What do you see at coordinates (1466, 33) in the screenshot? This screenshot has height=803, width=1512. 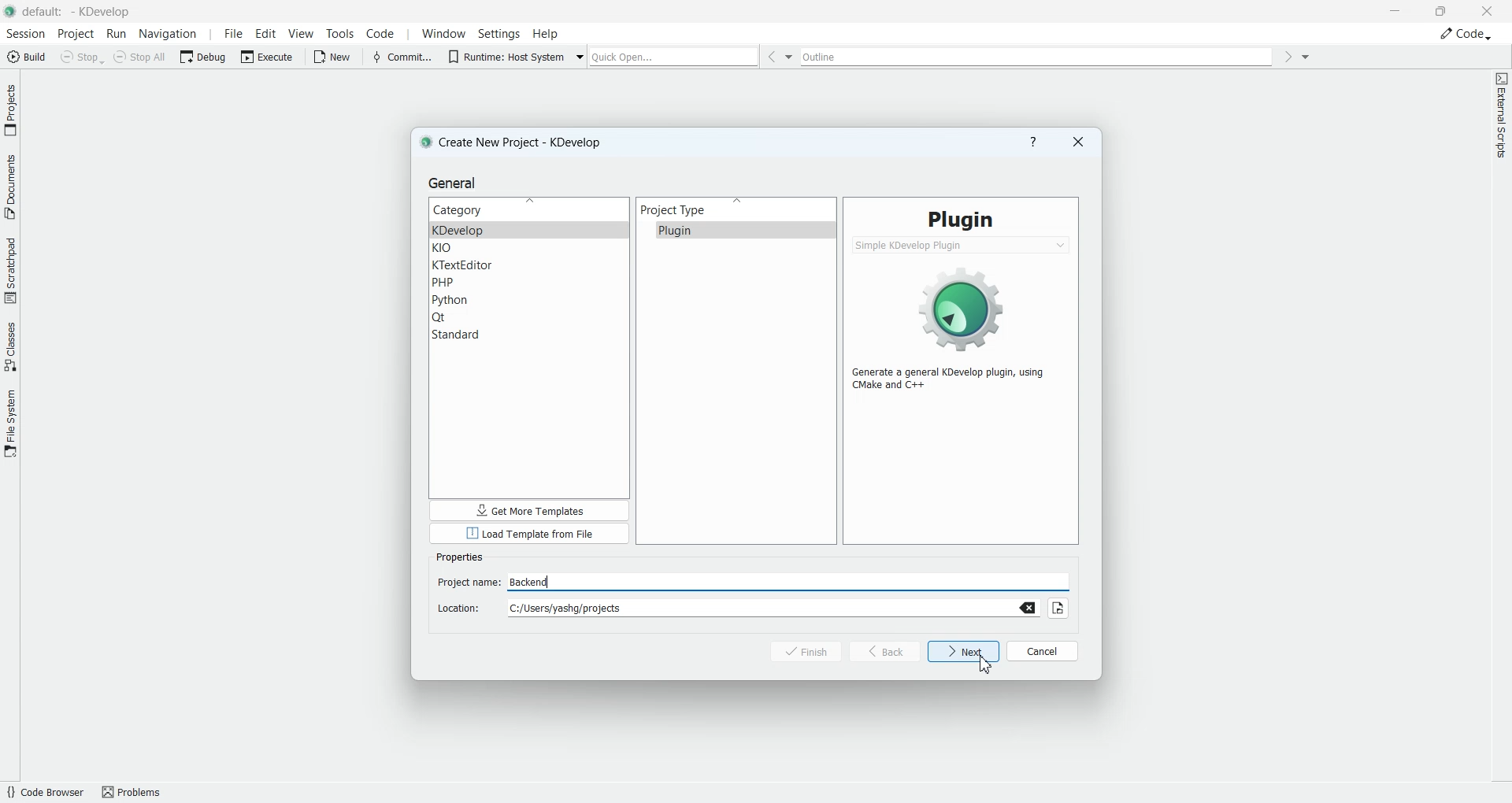 I see `Code` at bounding box center [1466, 33].